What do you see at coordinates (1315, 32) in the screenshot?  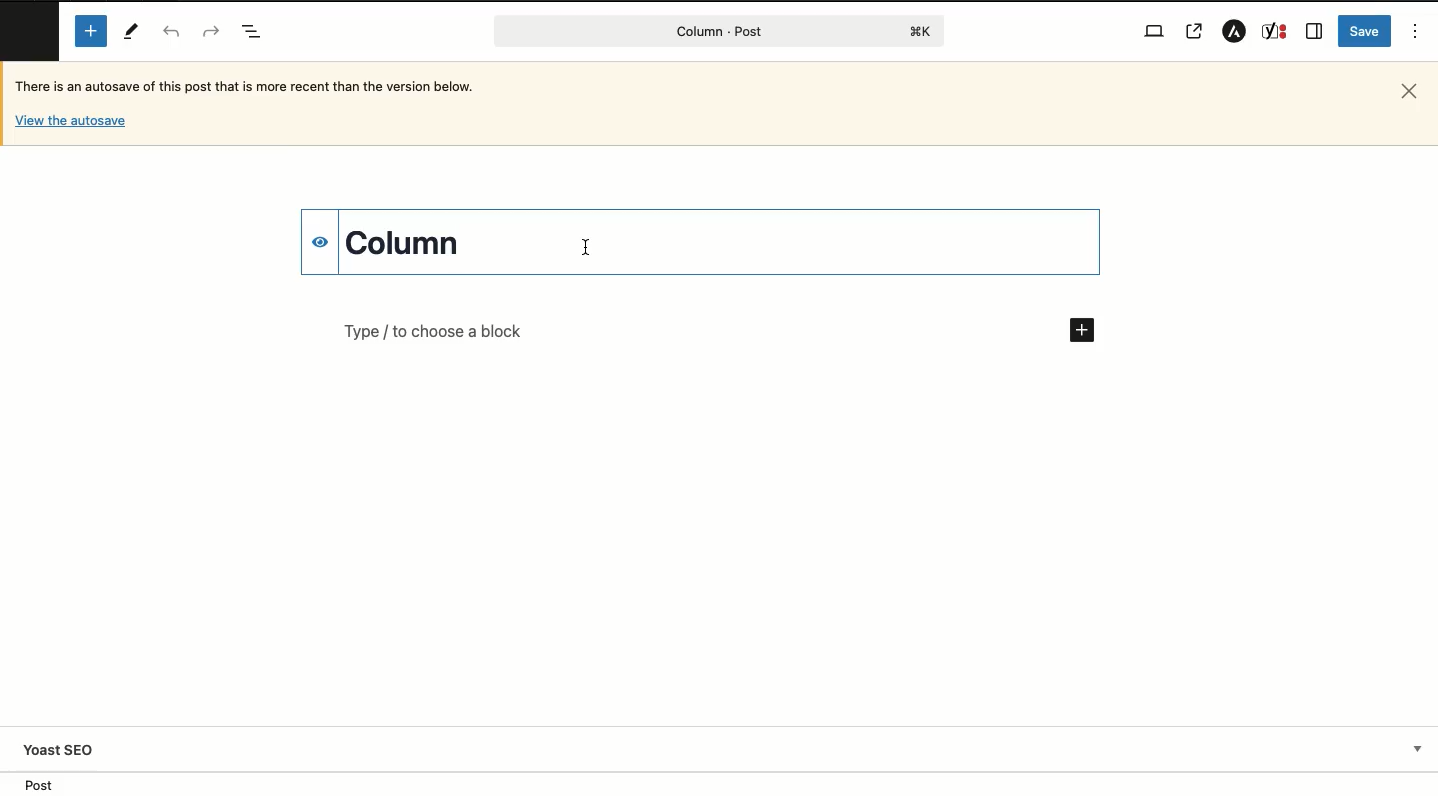 I see `Sidebar` at bounding box center [1315, 32].